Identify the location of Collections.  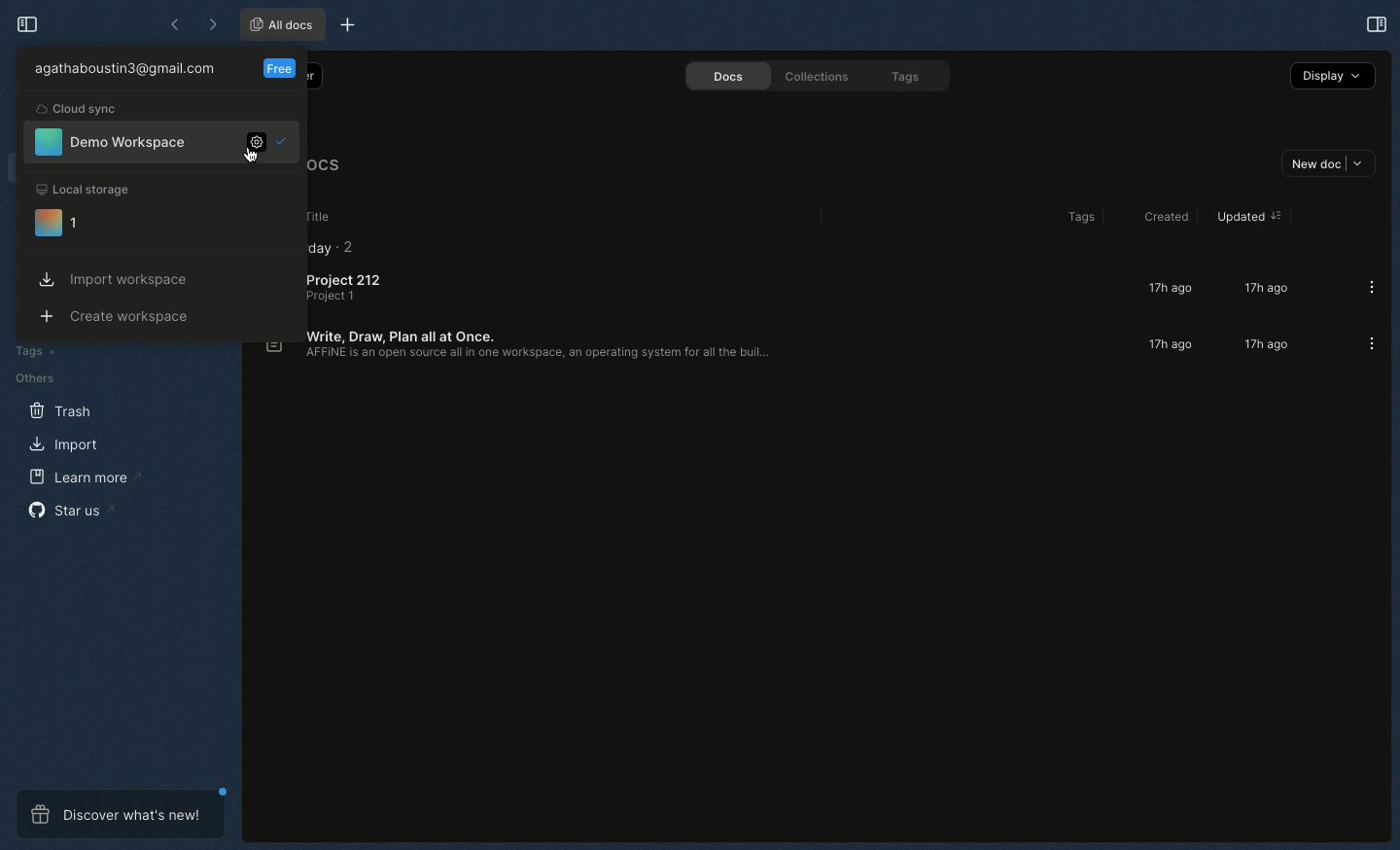
(811, 79).